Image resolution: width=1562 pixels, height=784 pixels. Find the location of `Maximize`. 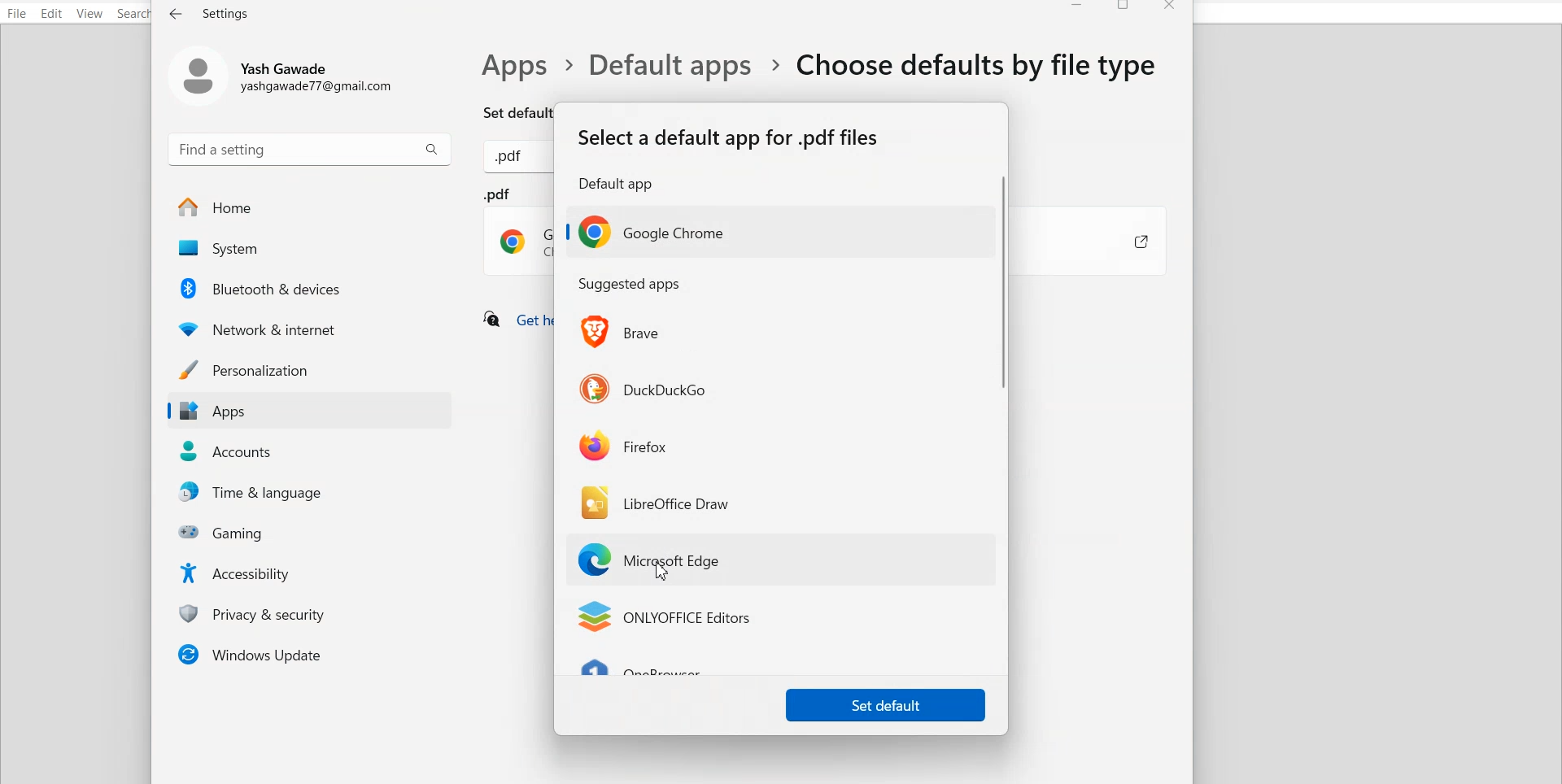

Maximize is located at coordinates (1125, 8).